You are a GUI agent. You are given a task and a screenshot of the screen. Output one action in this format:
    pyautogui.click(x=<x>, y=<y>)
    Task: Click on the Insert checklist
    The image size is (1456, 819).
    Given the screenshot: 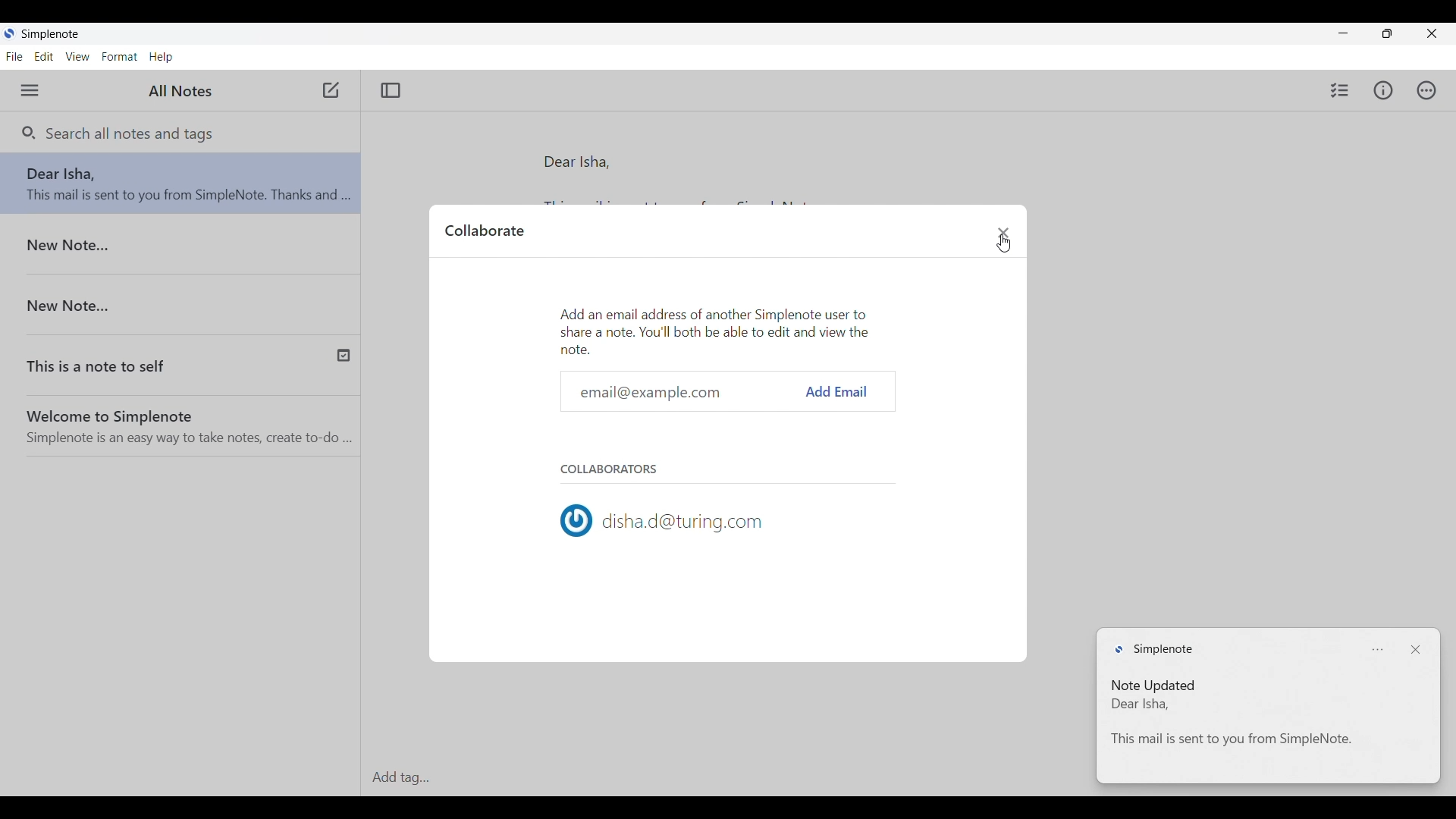 What is the action you would take?
    pyautogui.click(x=1340, y=89)
    